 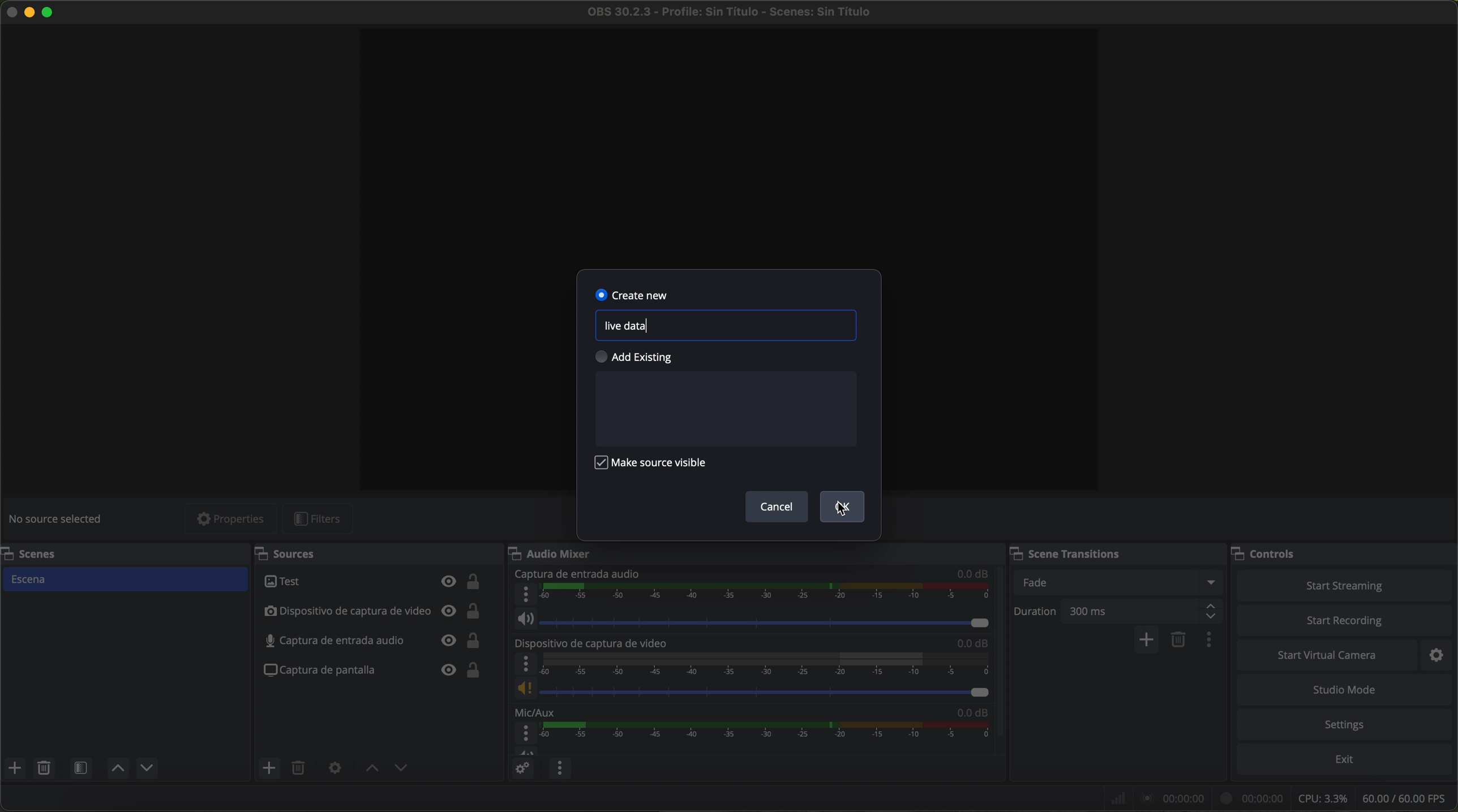 What do you see at coordinates (318, 519) in the screenshot?
I see `filters` at bounding box center [318, 519].